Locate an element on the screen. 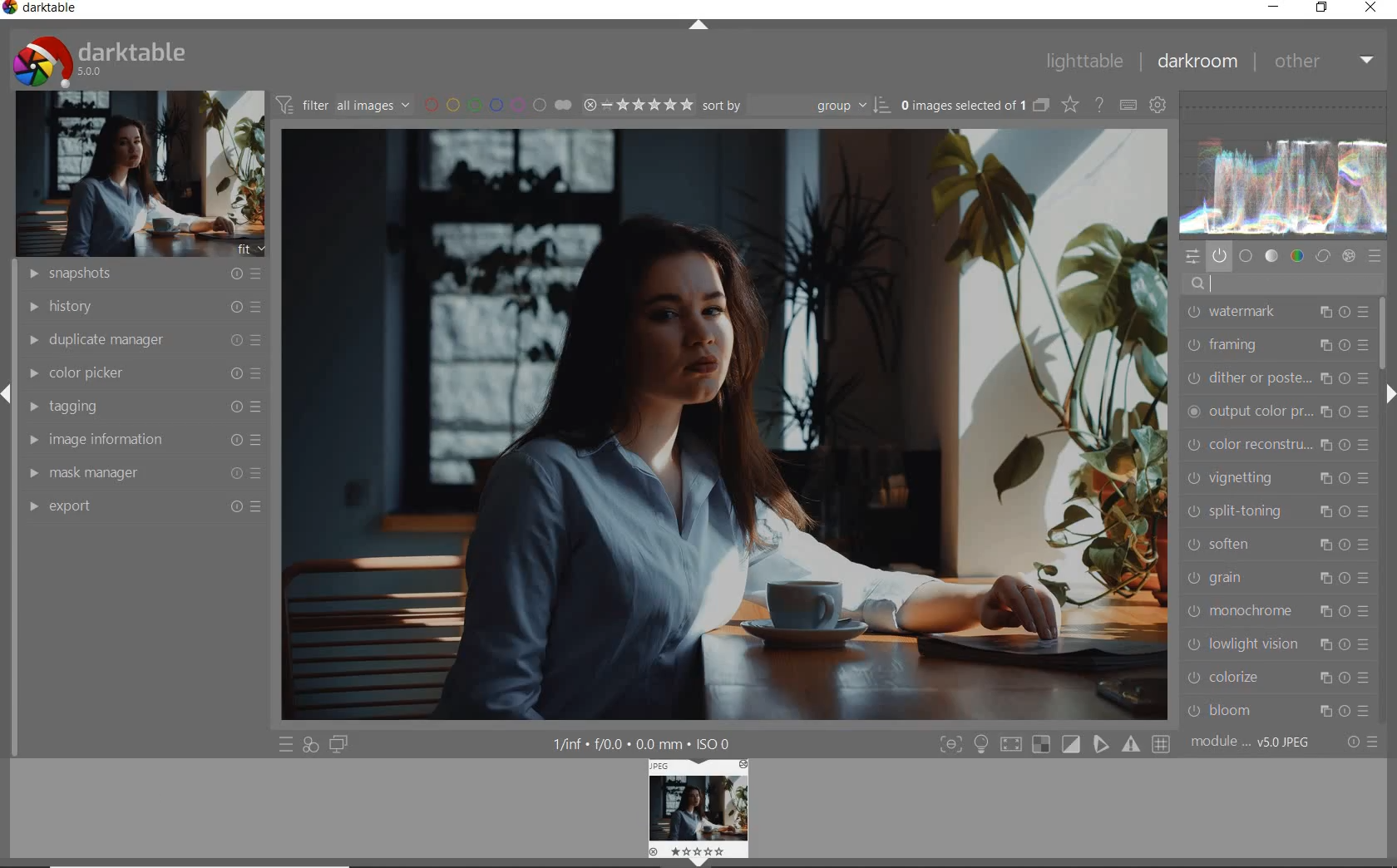  quick access for applying any of your styles is located at coordinates (312, 746).